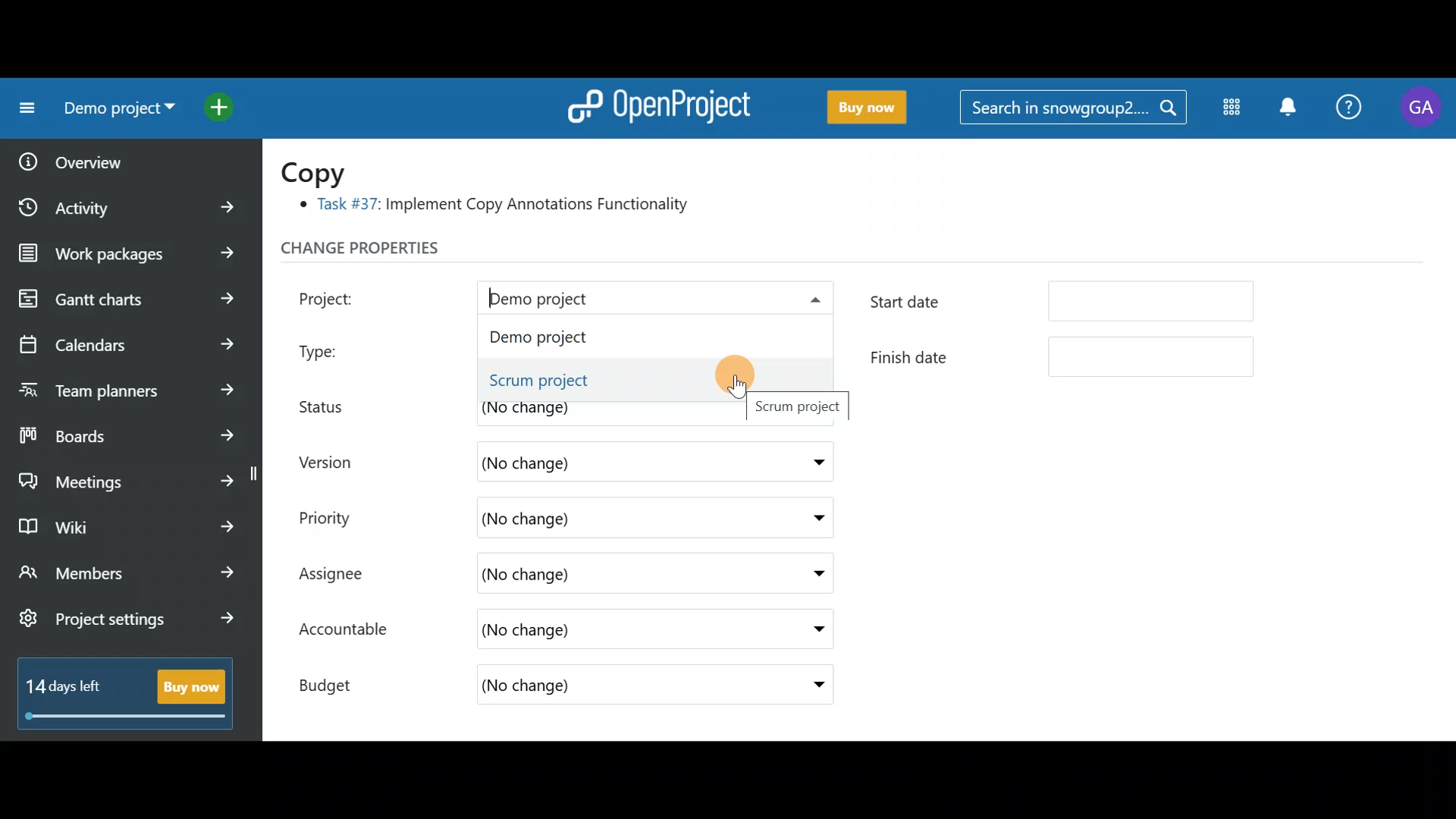 The height and width of the screenshot is (819, 1456). What do you see at coordinates (118, 690) in the screenshot?
I see `14 days left - Buy now` at bounding box center [118, 690].